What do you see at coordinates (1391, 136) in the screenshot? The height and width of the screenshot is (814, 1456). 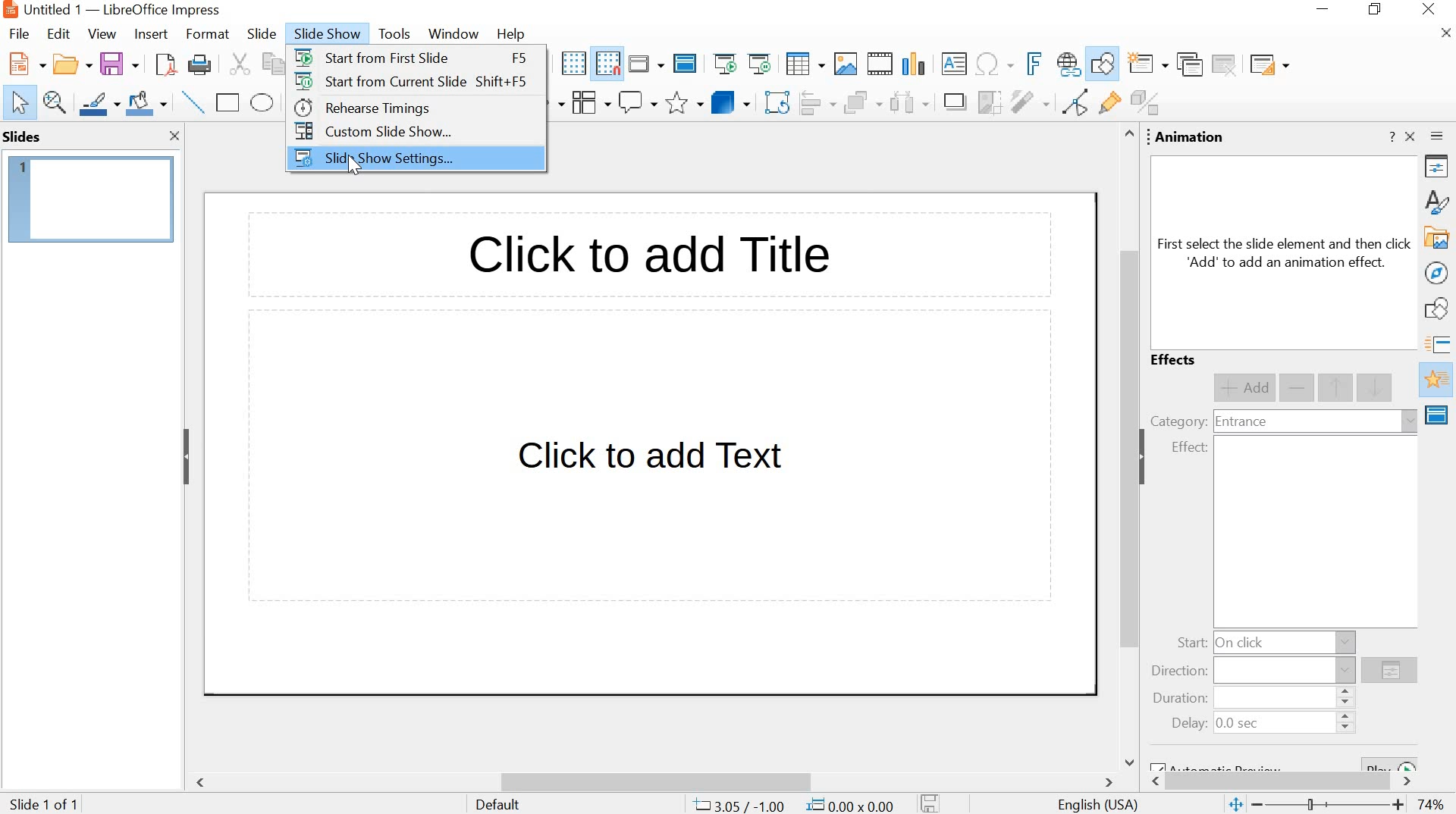 I see `help about this sidebar deck` at bounding box center [1391, 136].